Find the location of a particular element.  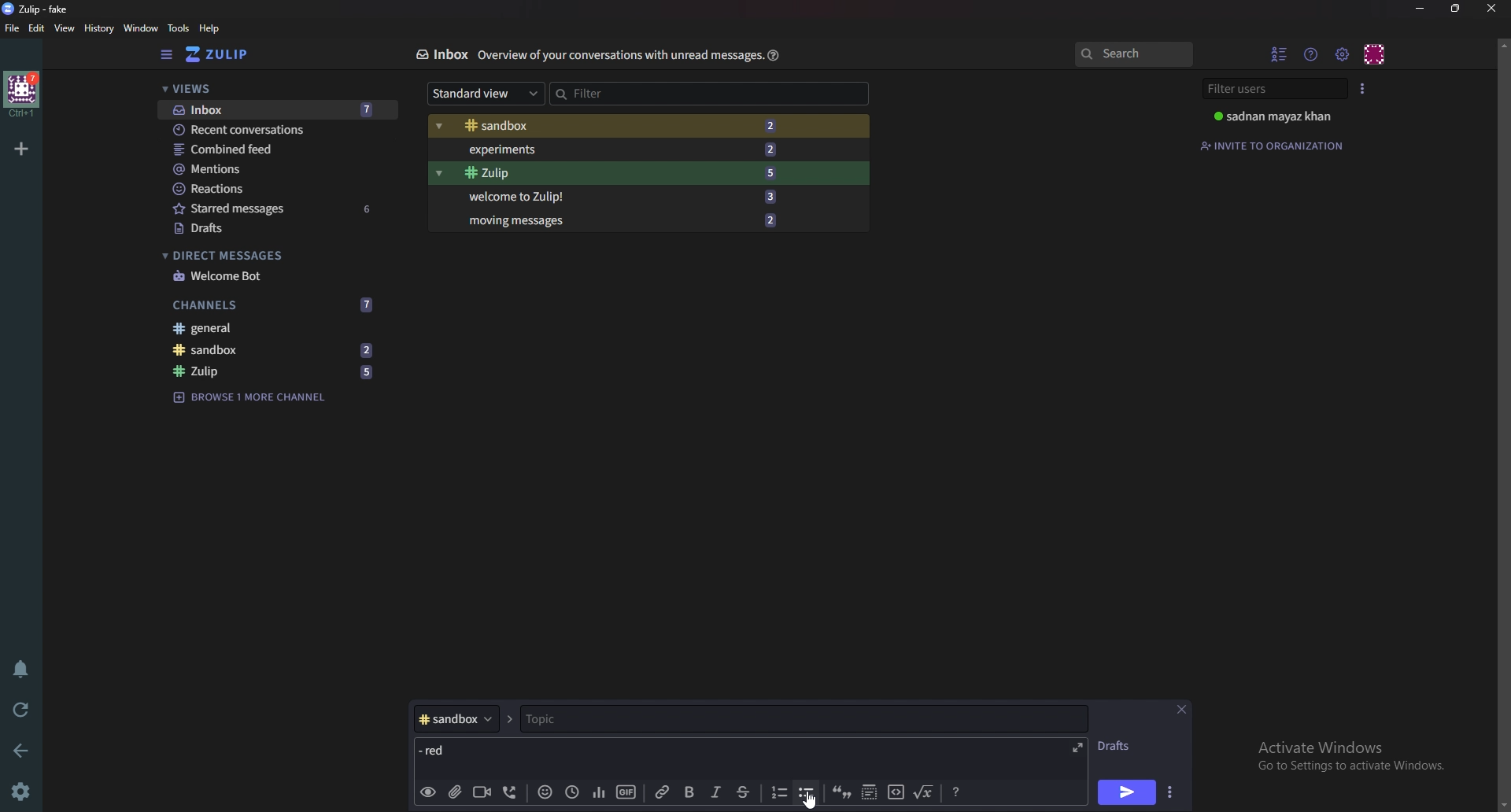

User is located at coordinates (1281, 116).